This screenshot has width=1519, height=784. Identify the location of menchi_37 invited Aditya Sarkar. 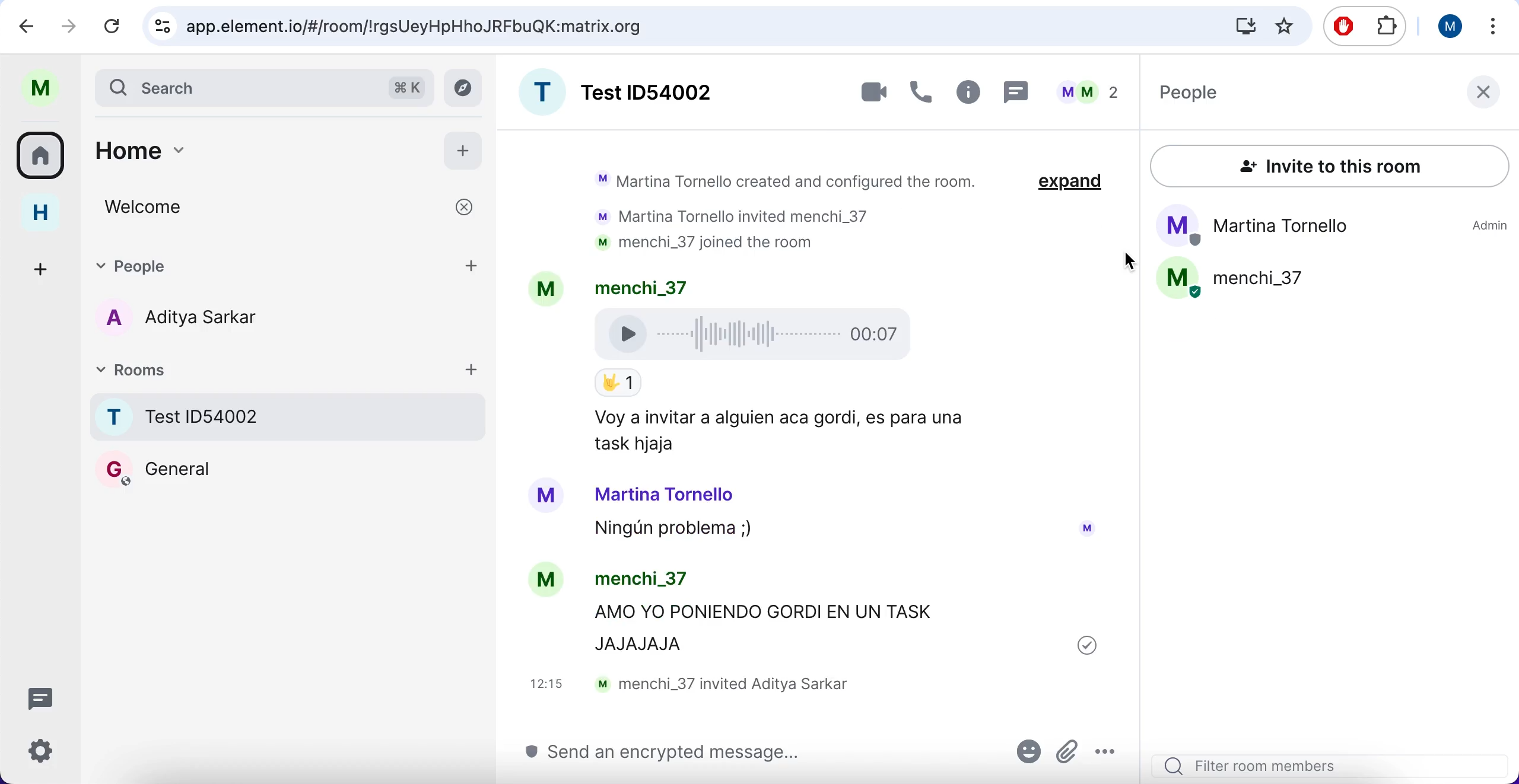
(725, 685).